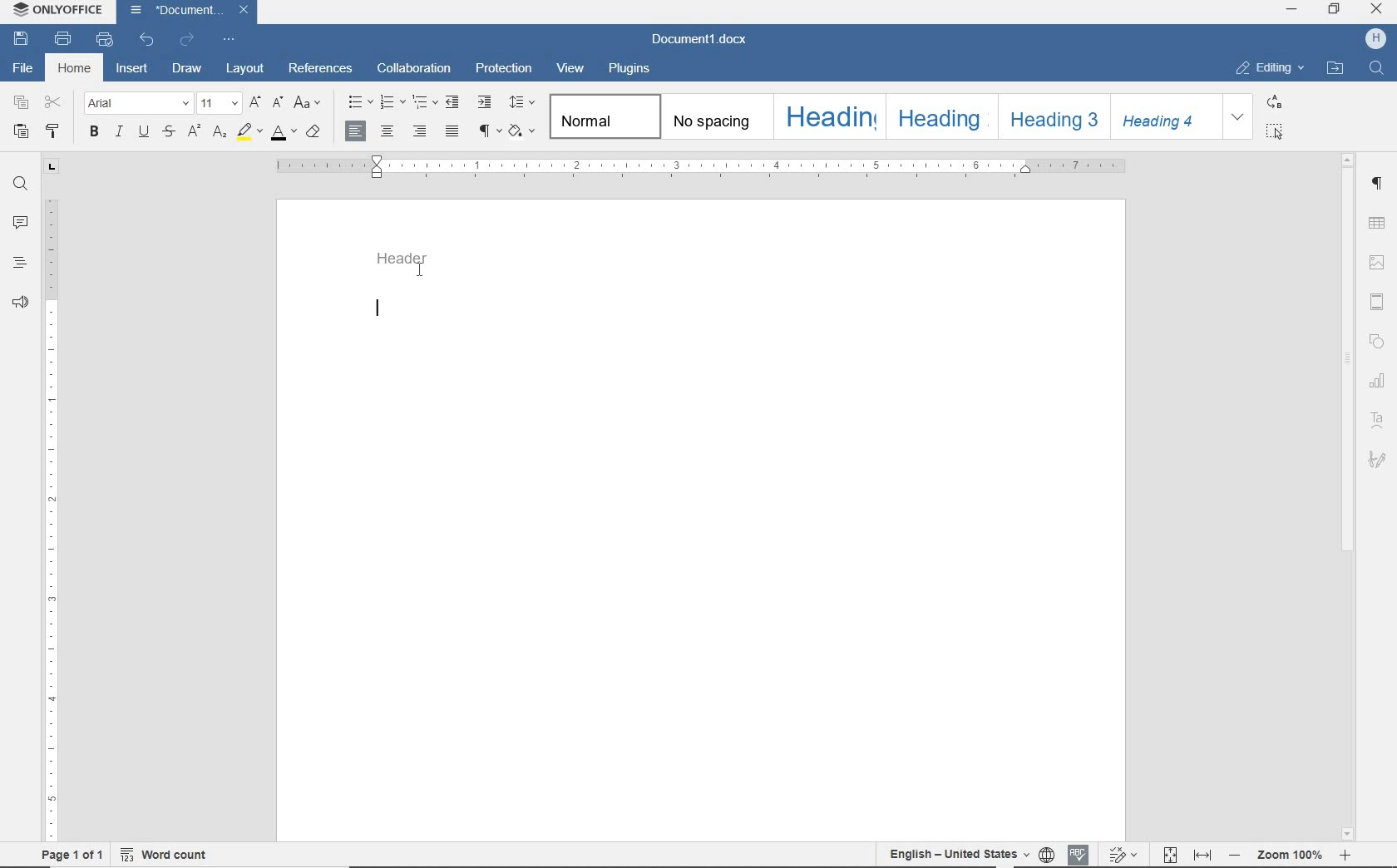  I want to click on bold, so click(94, 132).